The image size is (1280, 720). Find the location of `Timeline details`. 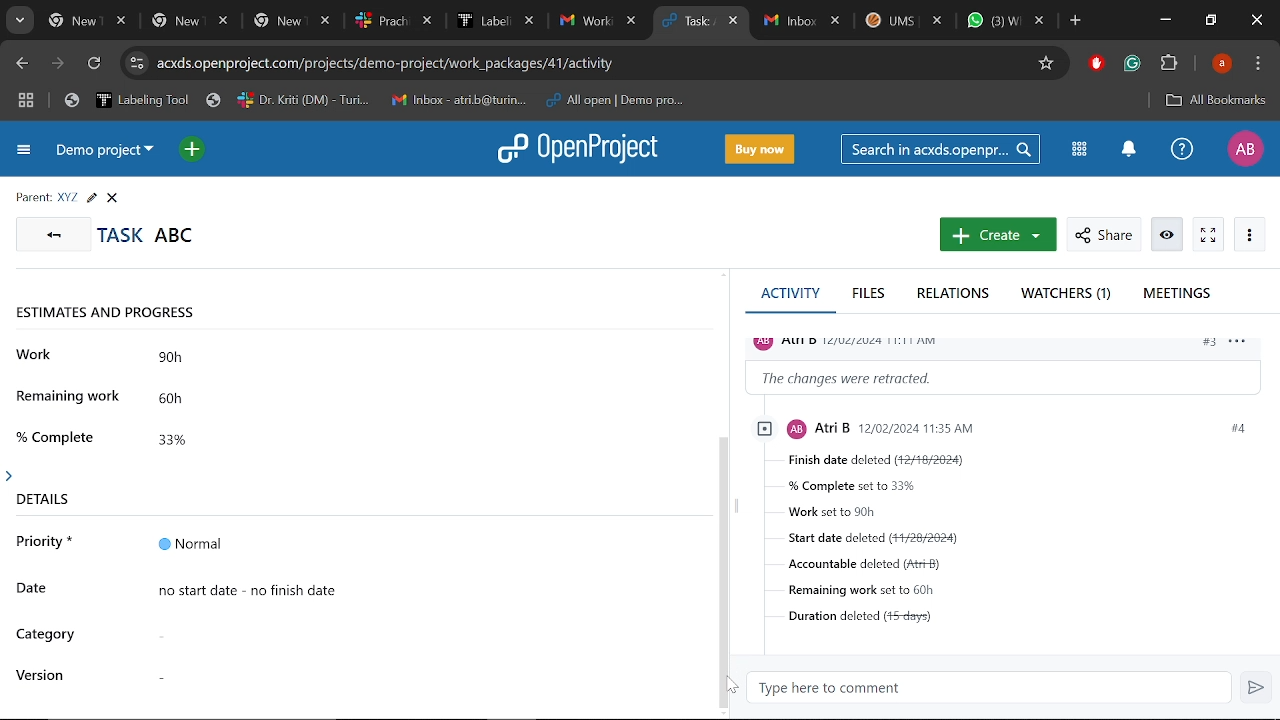

Timeline details is located at coordinates (423, 589).